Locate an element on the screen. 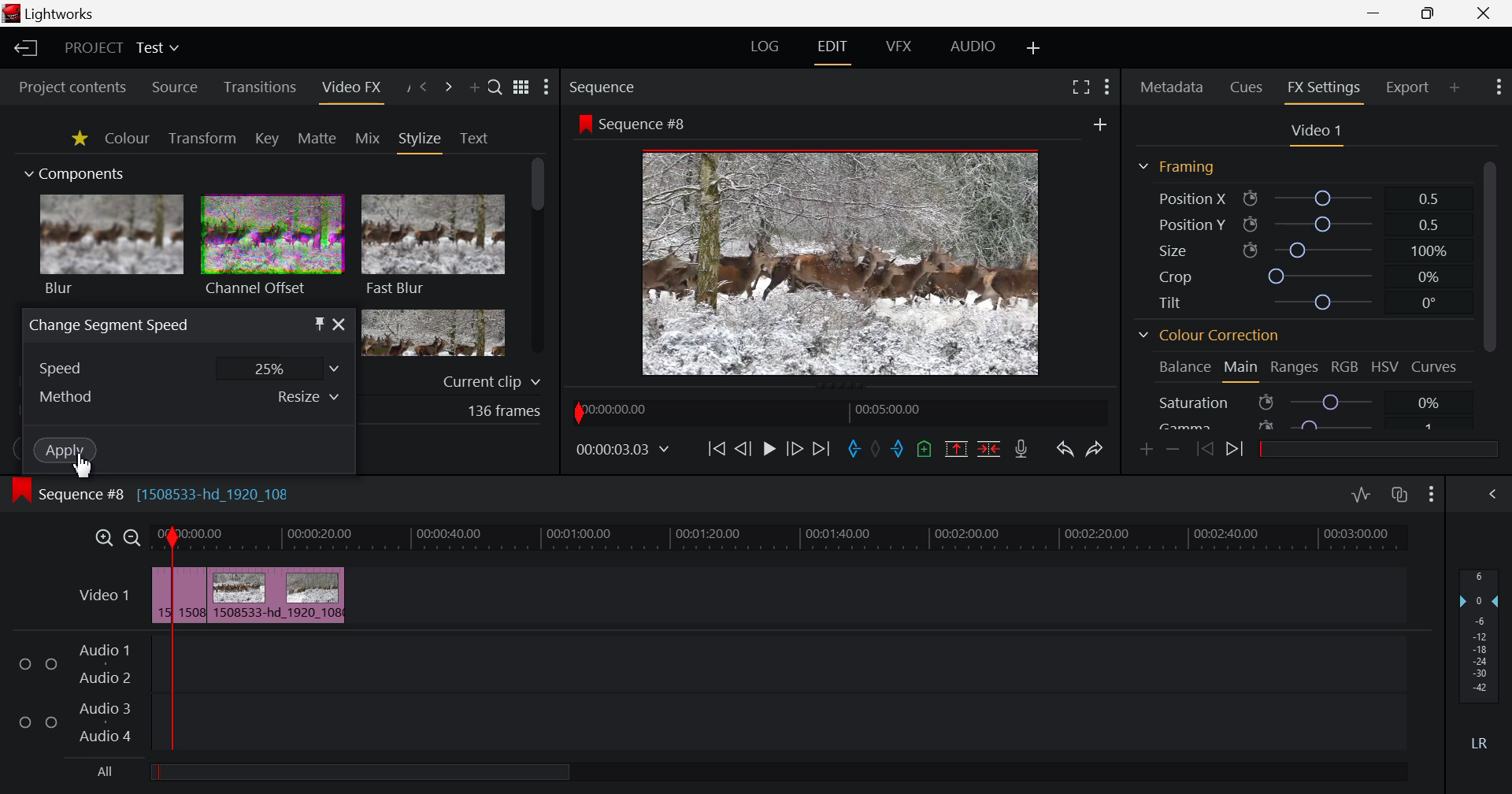  Favorites is located at coordinates (77, 139).